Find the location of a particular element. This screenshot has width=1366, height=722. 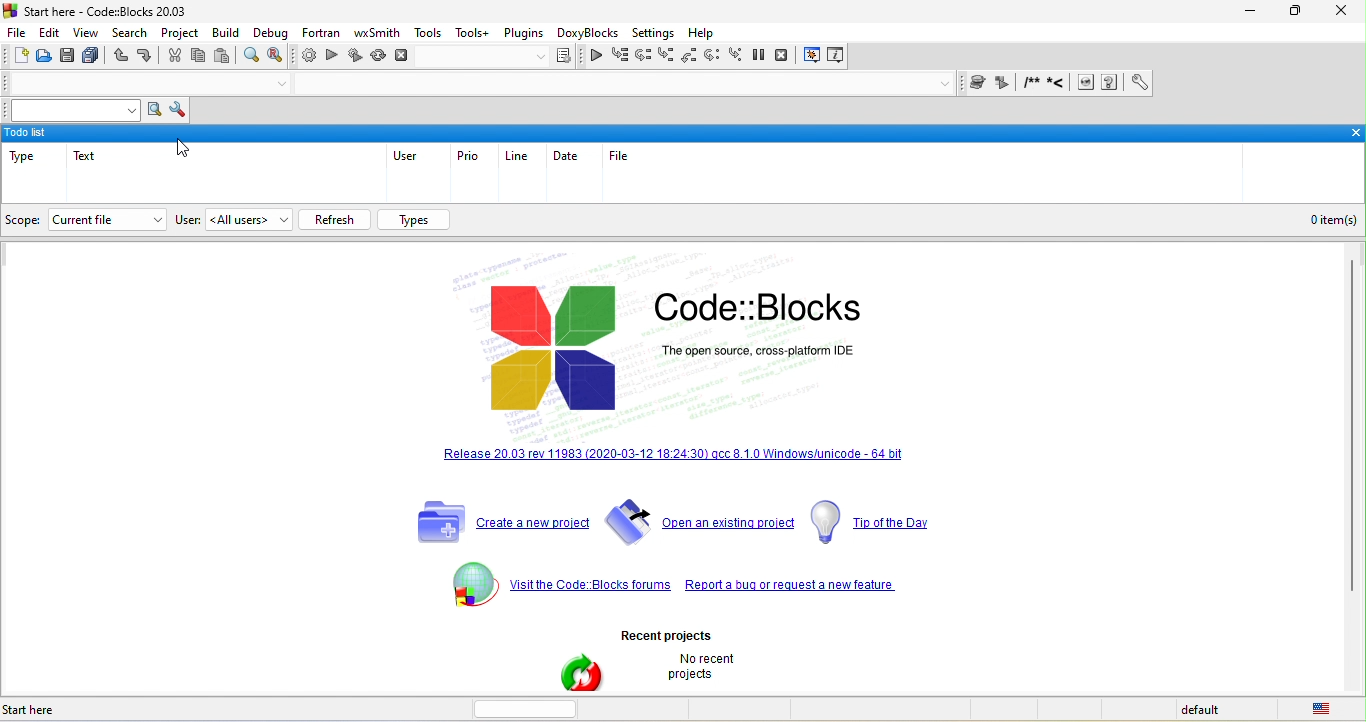

open tab is located at coordinates (131, 84).